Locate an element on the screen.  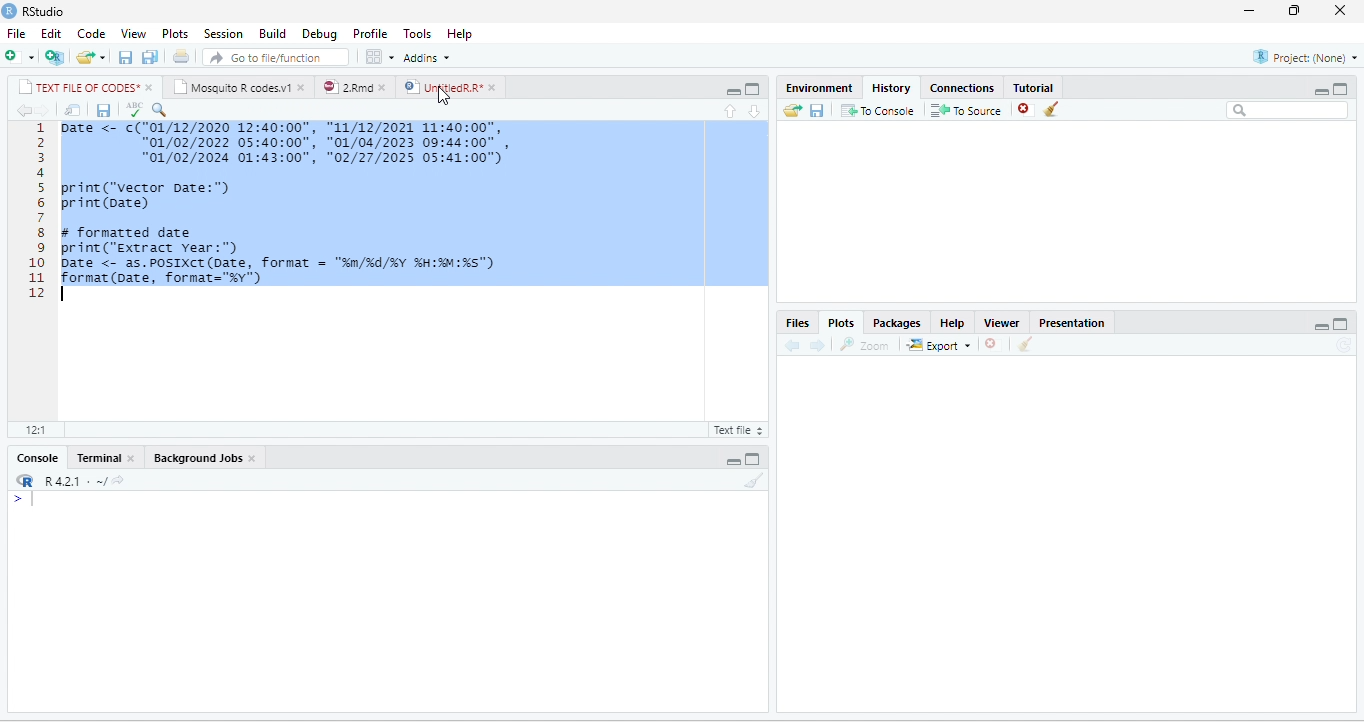
To Console is located at coordinates (877, 110).